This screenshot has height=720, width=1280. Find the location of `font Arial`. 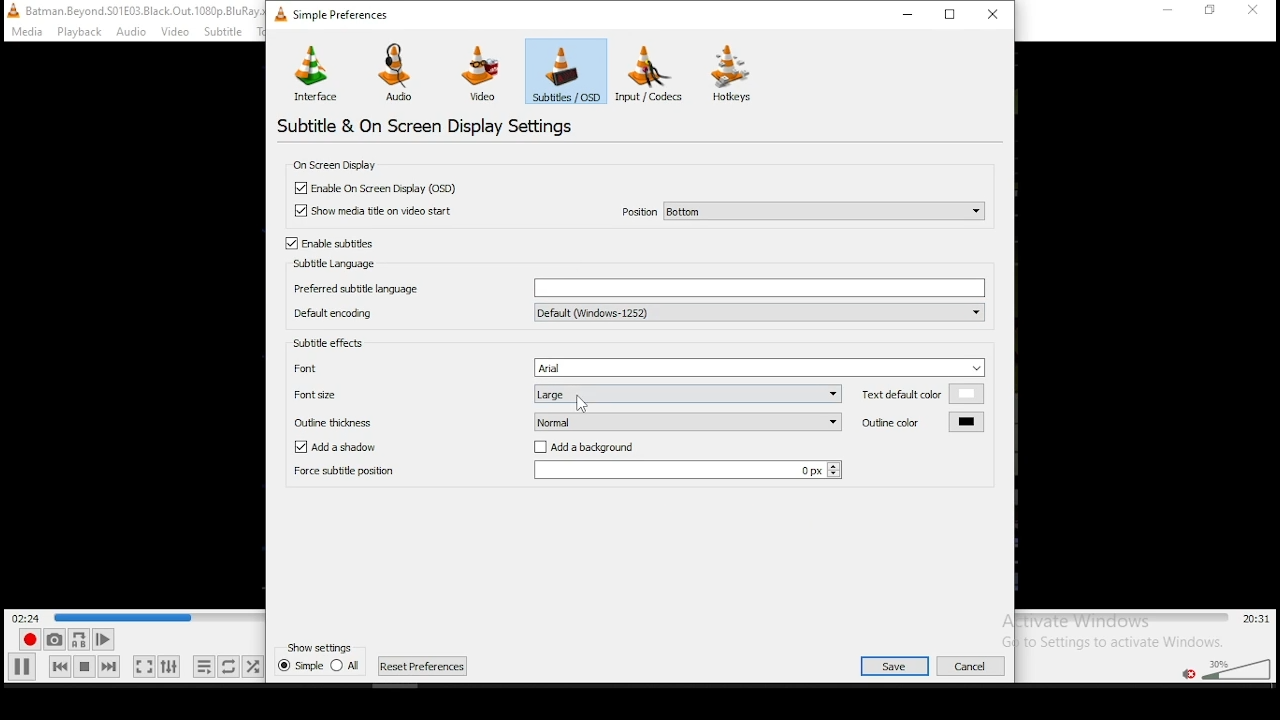

font Arial is located at coordinates (634, 367).